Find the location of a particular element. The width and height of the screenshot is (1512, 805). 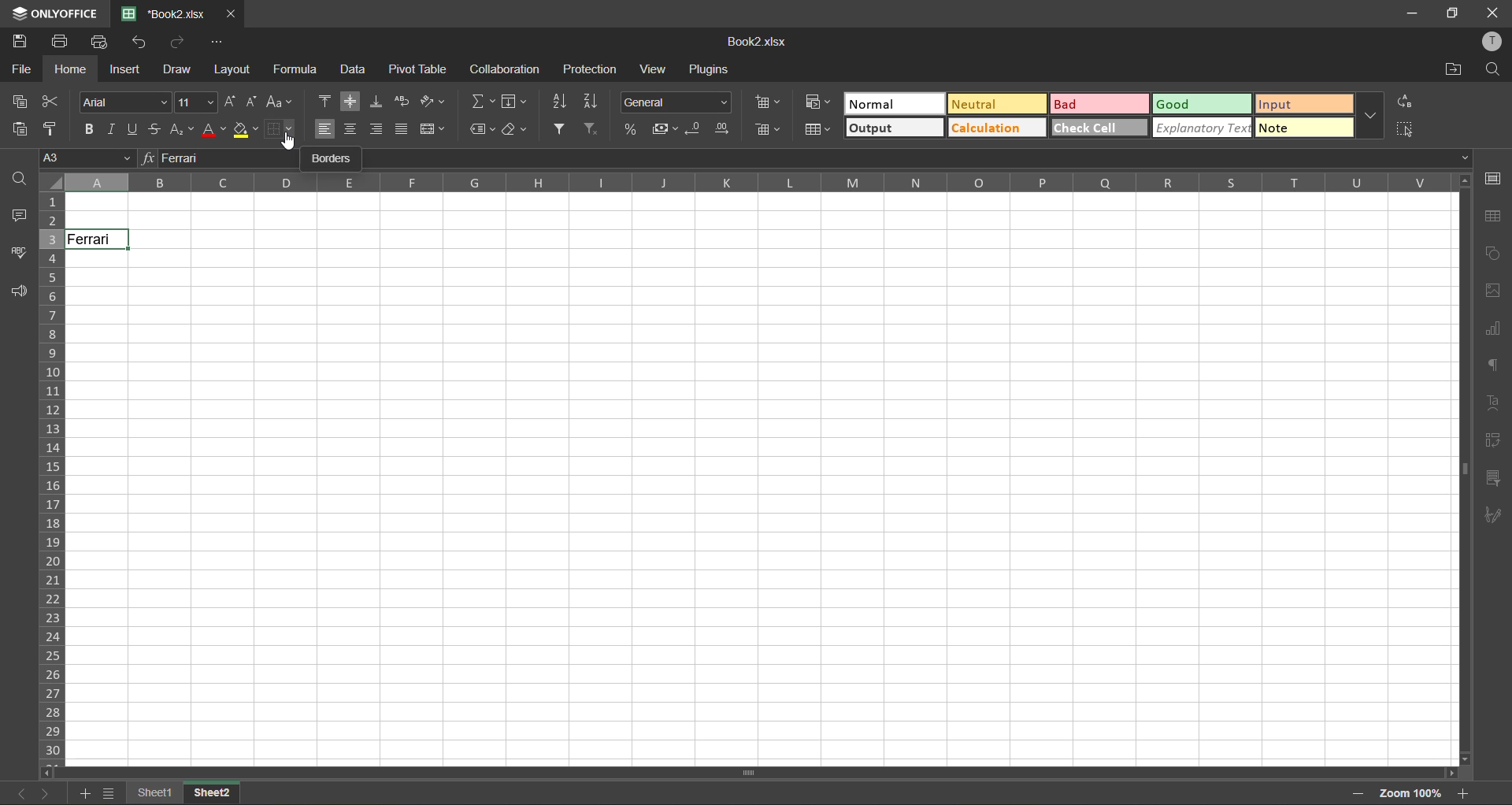

home is located at coordinates (68, 70).